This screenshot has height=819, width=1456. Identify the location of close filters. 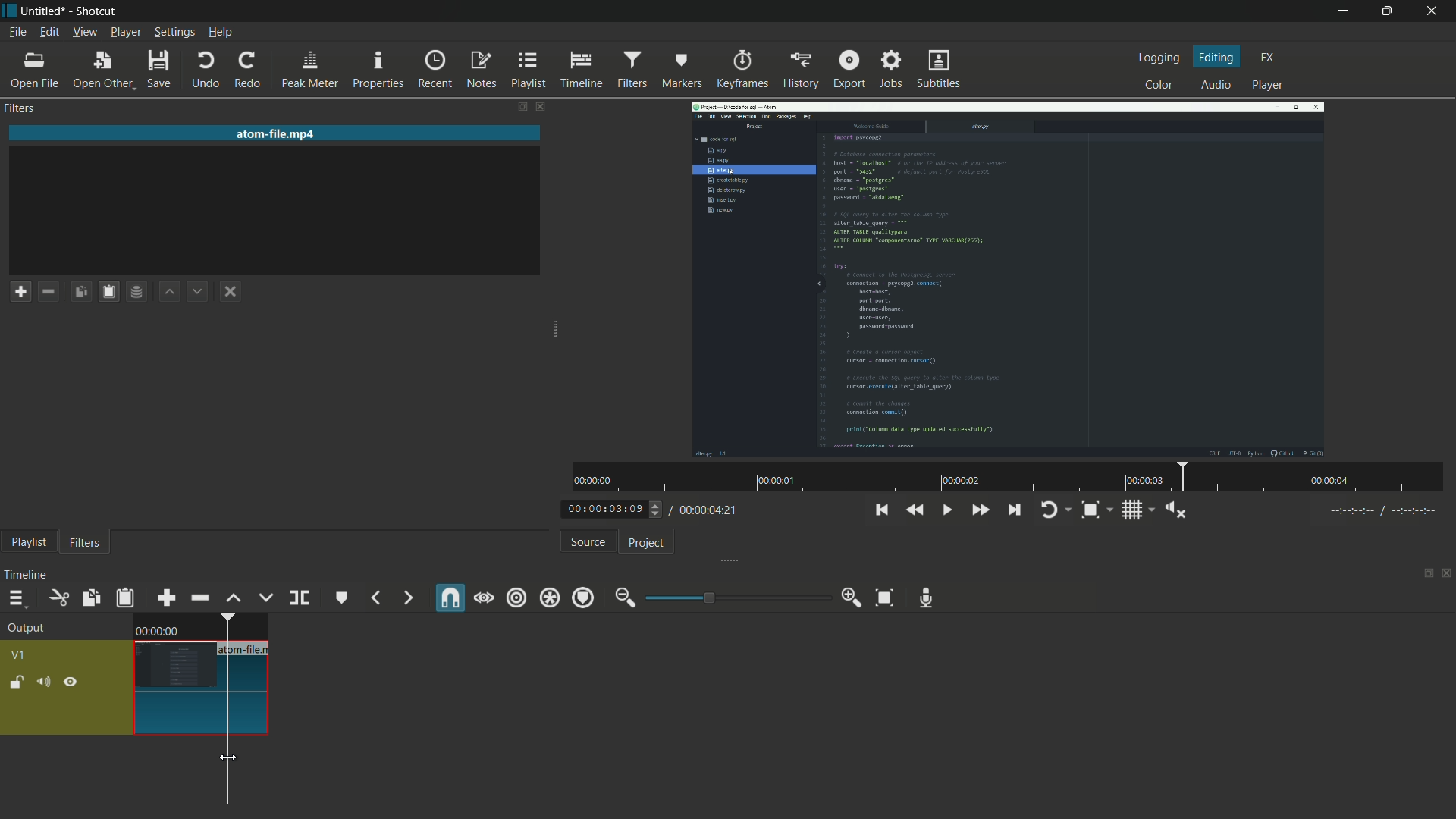
(540, 107).